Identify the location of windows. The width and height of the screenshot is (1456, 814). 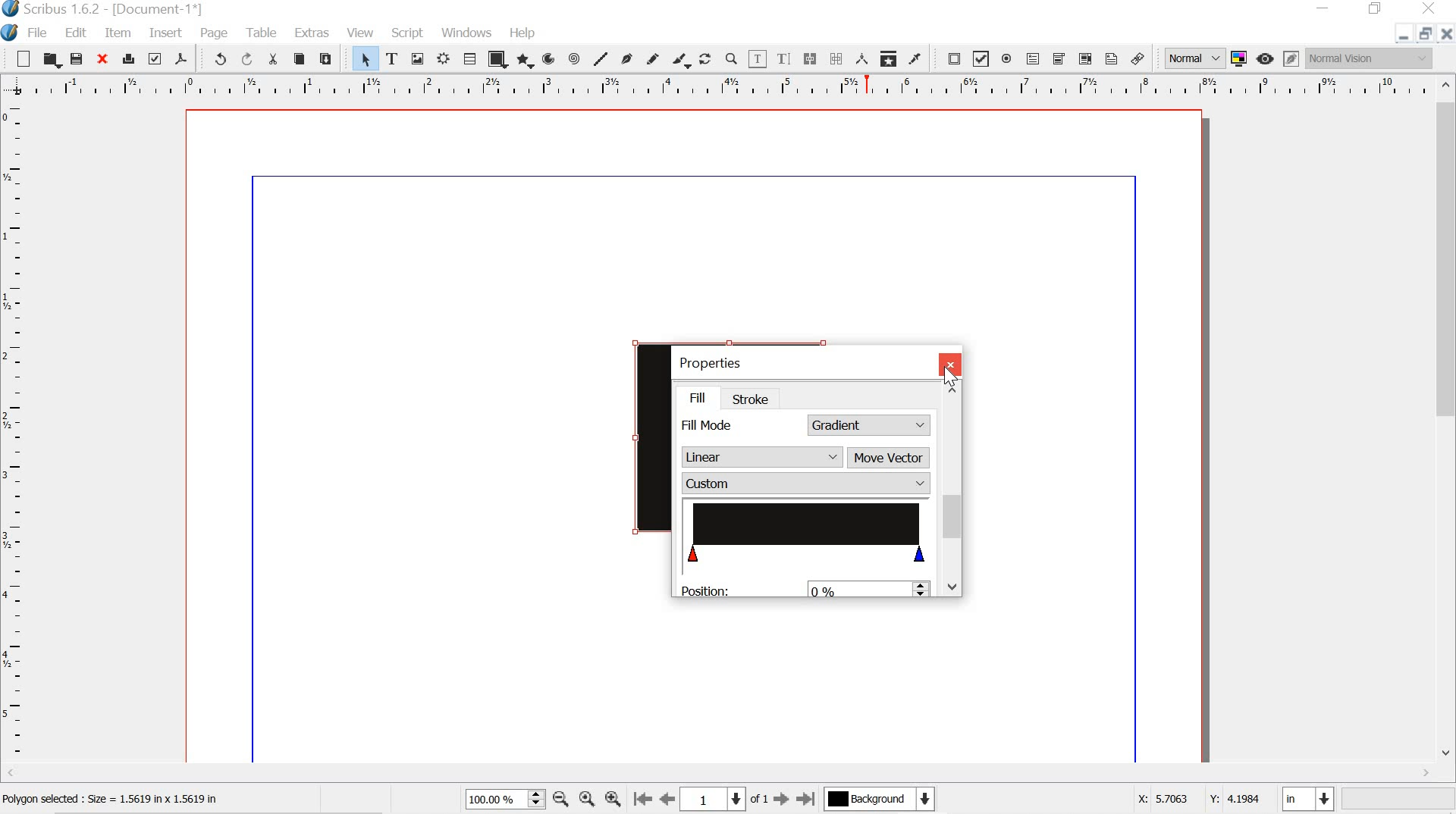
(468, 33).